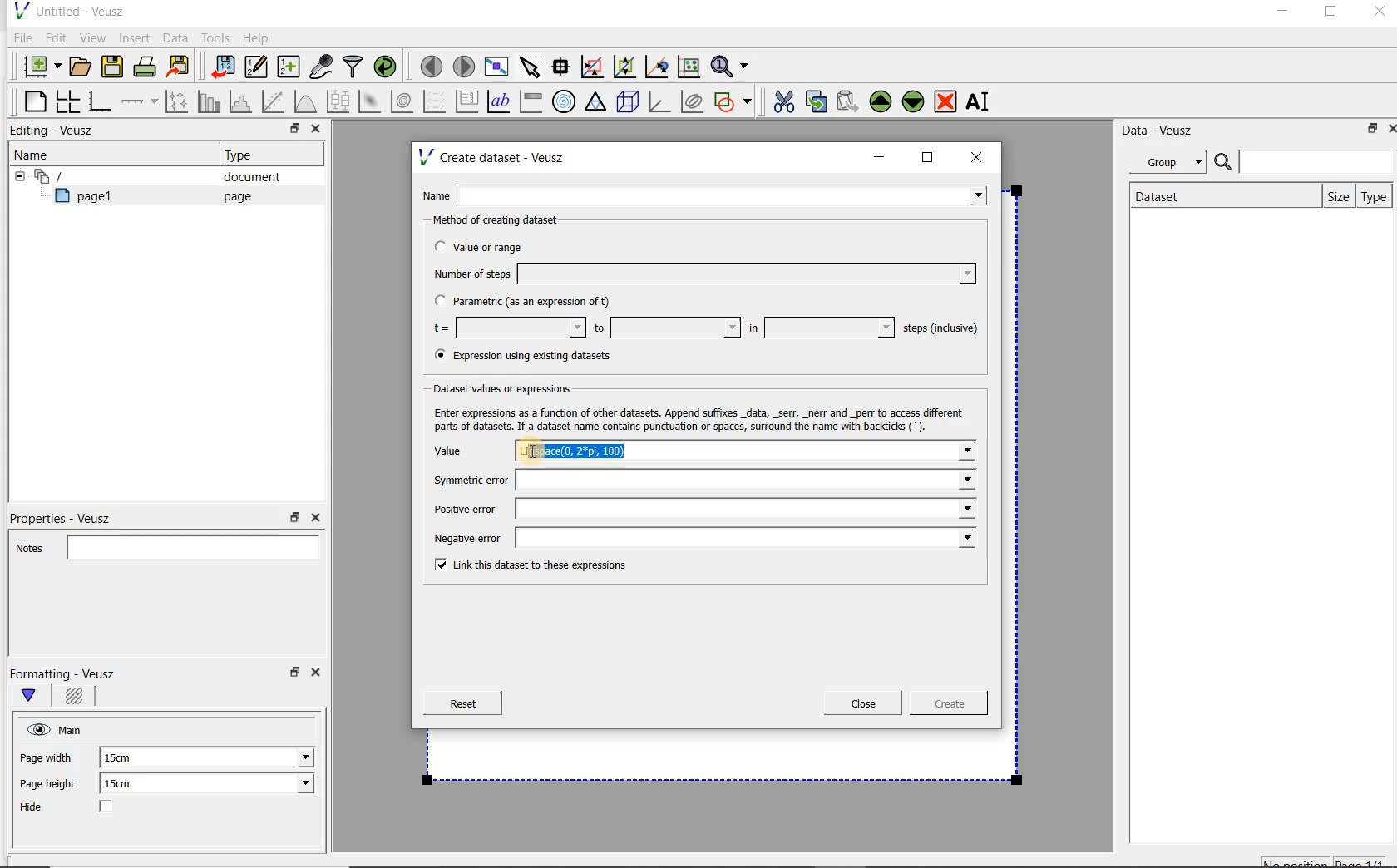  I want to click on Cursor, so click(537, 451).